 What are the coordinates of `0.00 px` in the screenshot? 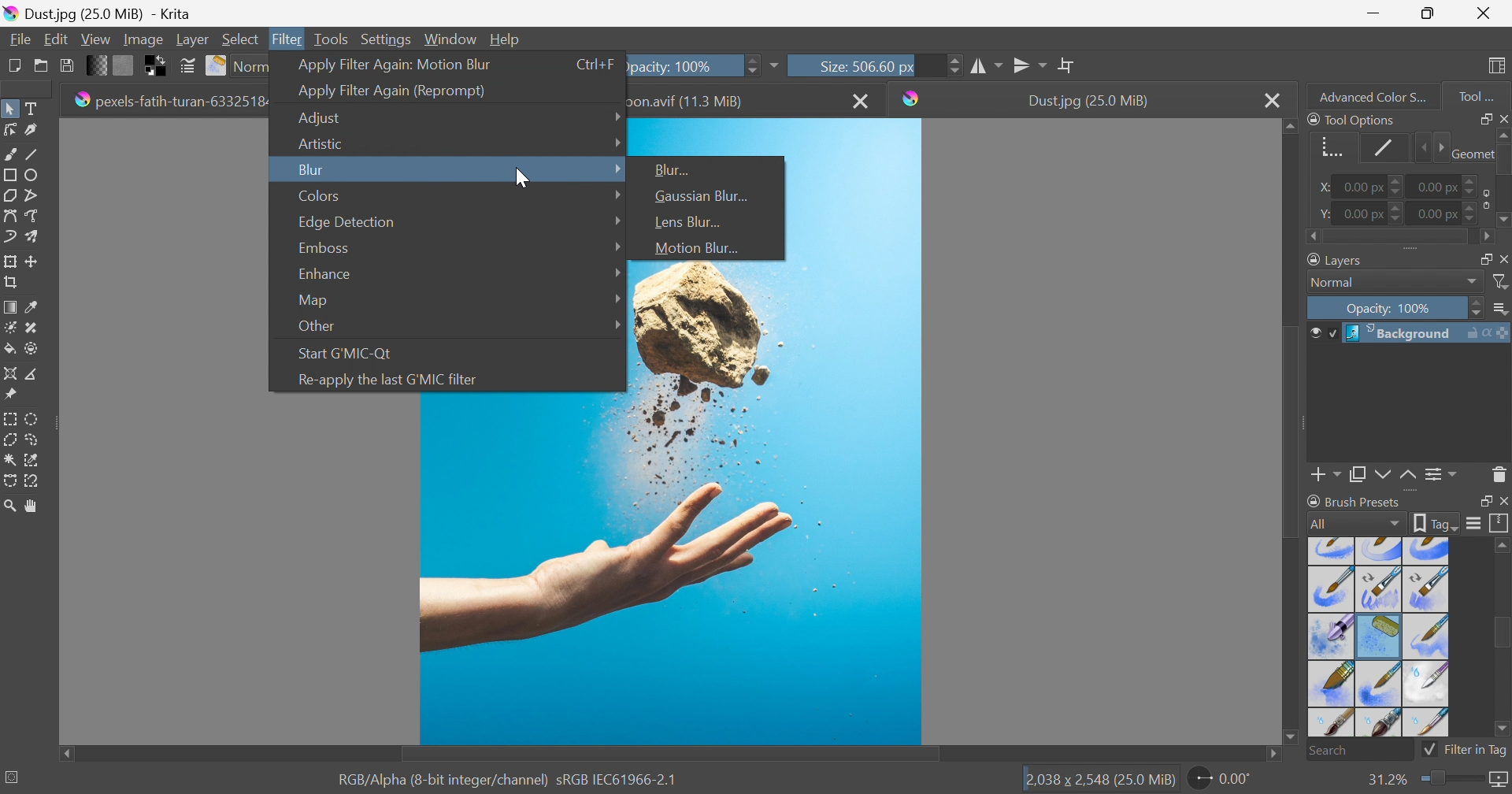 It's located at (1364, 214).